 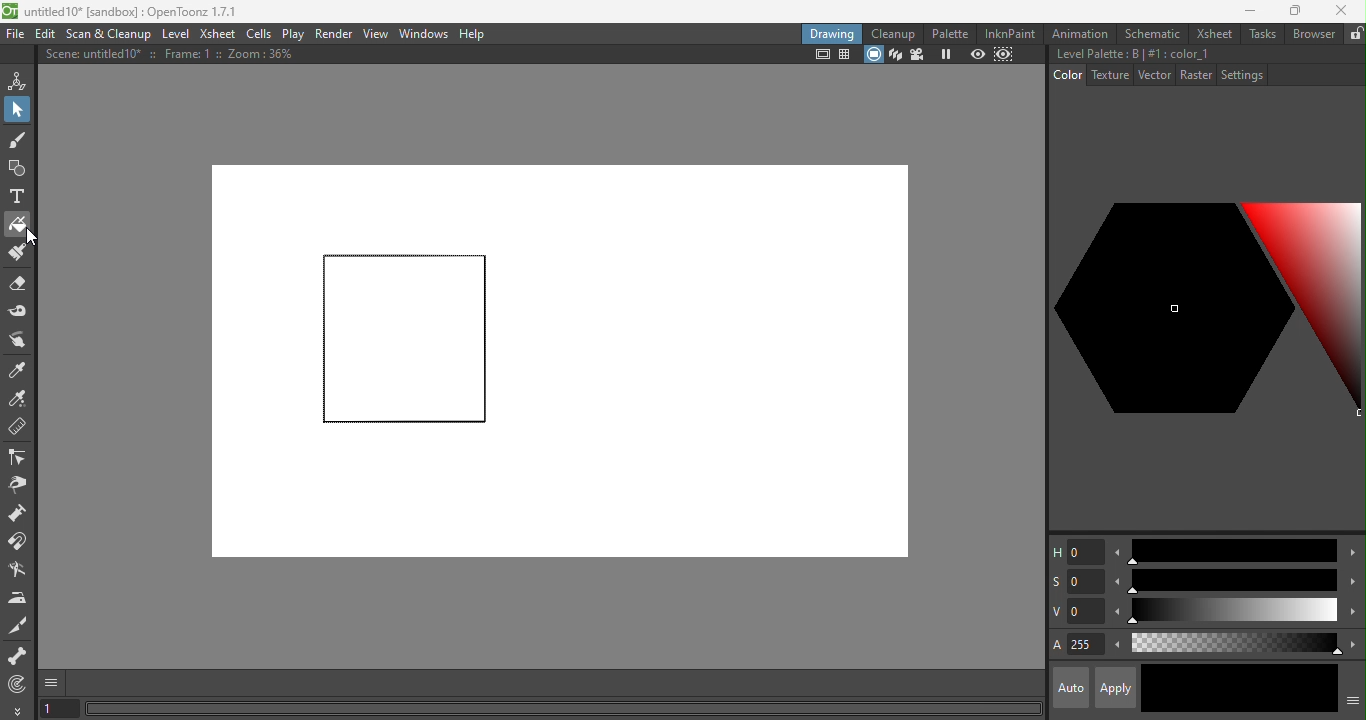 What do you see at coordinates (1153, 76) in the screenshot?
I see `Vector` at bounding box center [1153, 76].